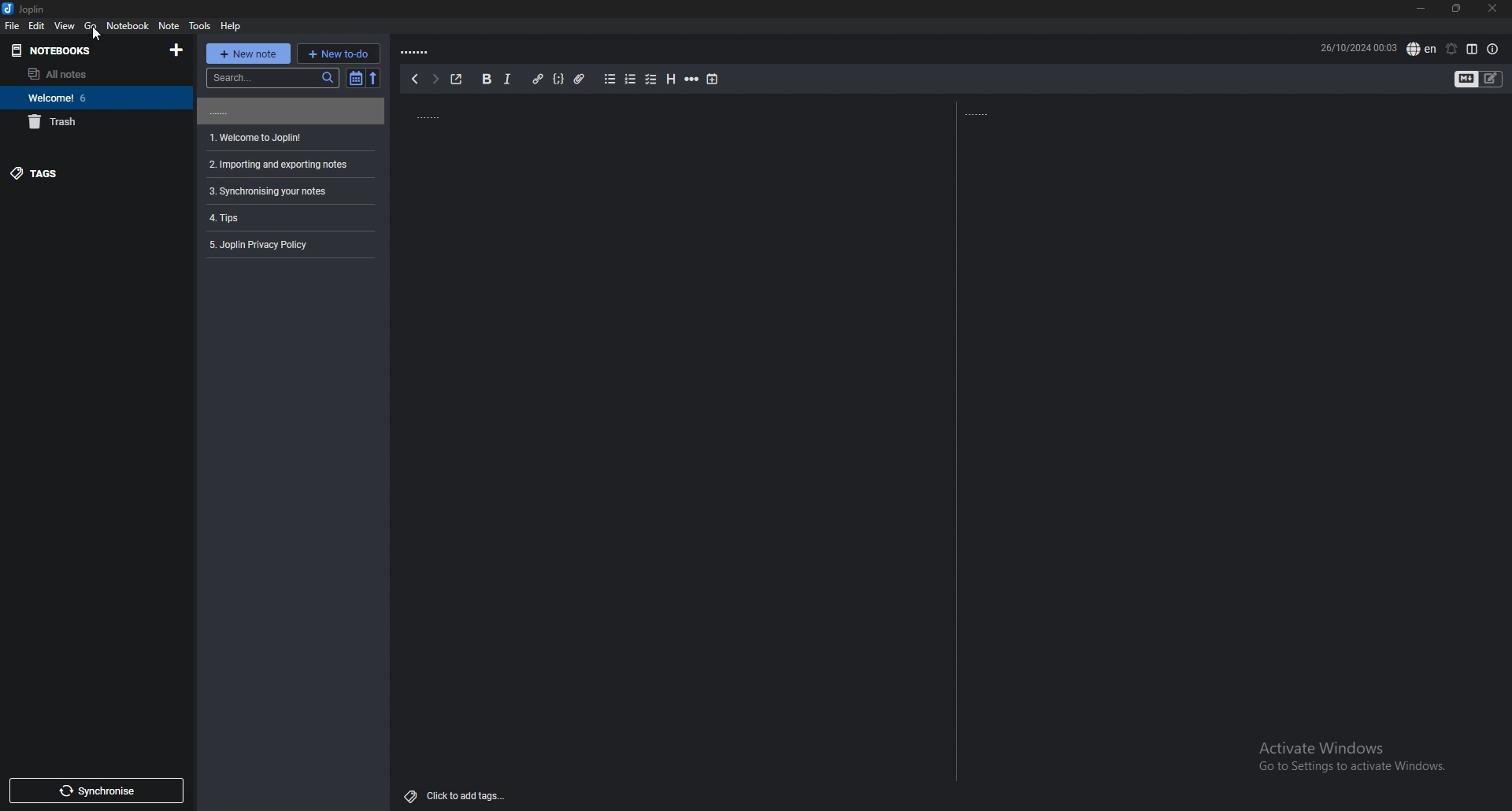  What do you see at coordinates (538, 79) in the screenshot?
I see `add hyperlink` at bounding box center [538, 79].